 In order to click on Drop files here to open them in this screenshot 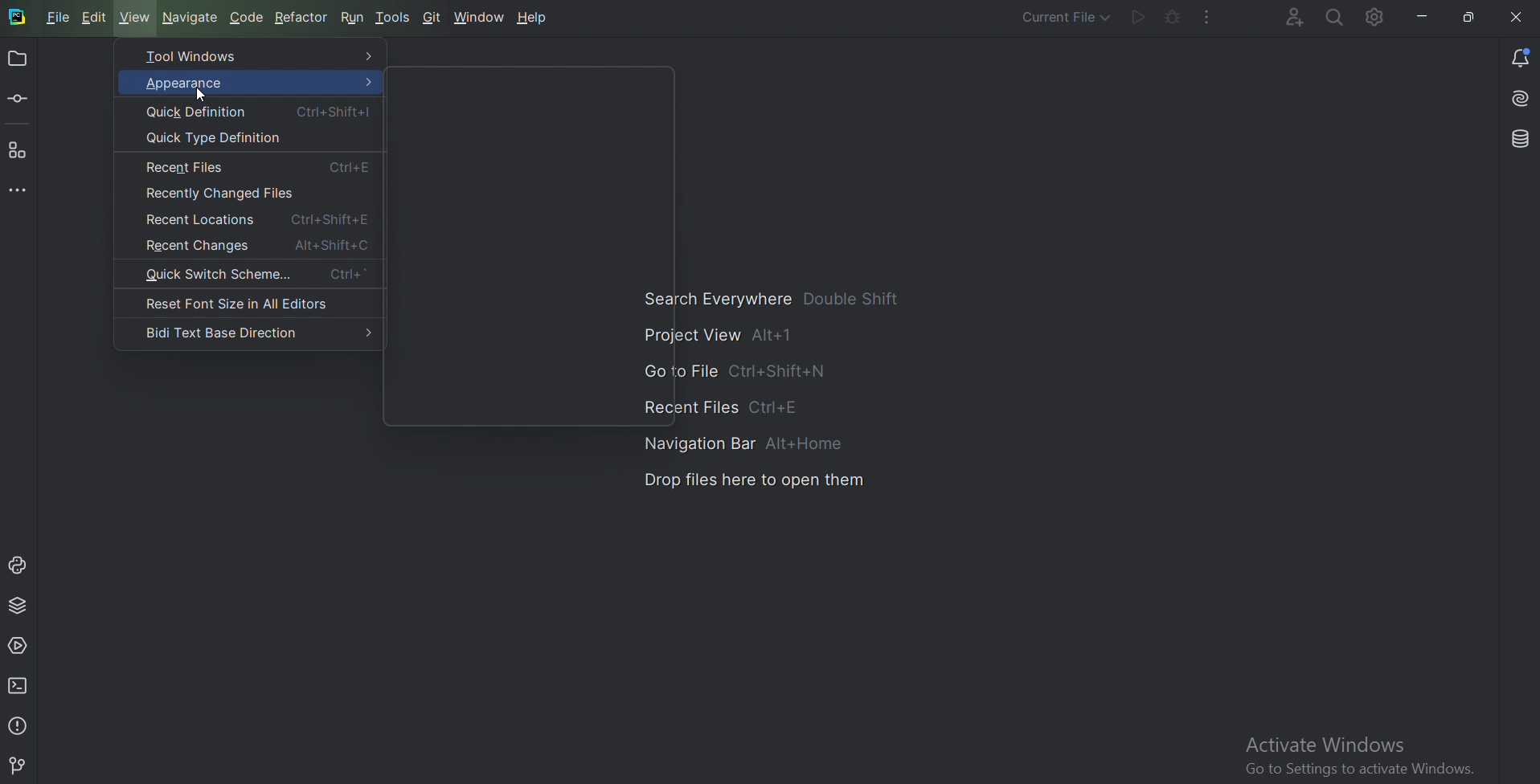, I will do `click(754, 483)`.